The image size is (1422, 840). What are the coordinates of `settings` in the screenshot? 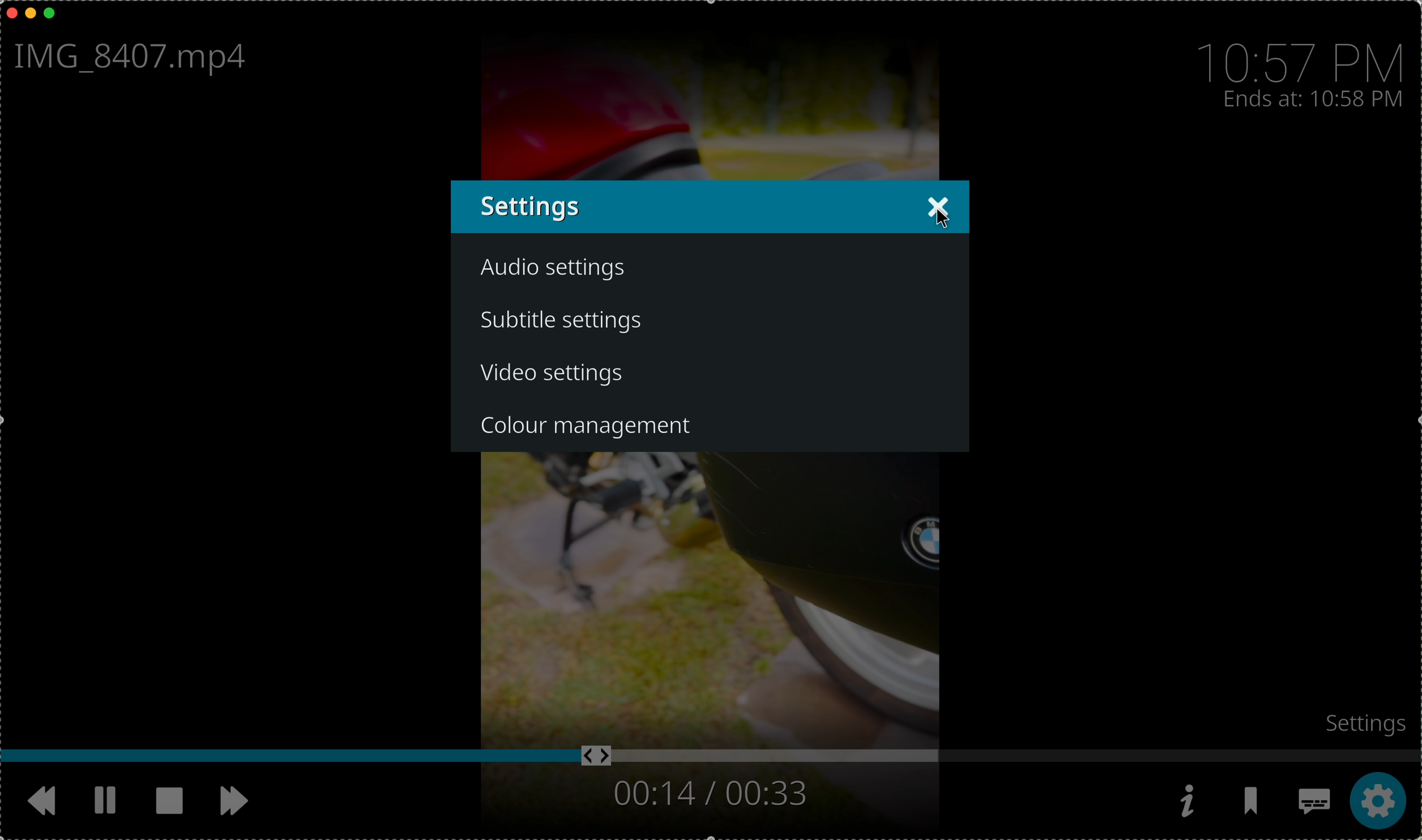 It's located at (1367, 722).